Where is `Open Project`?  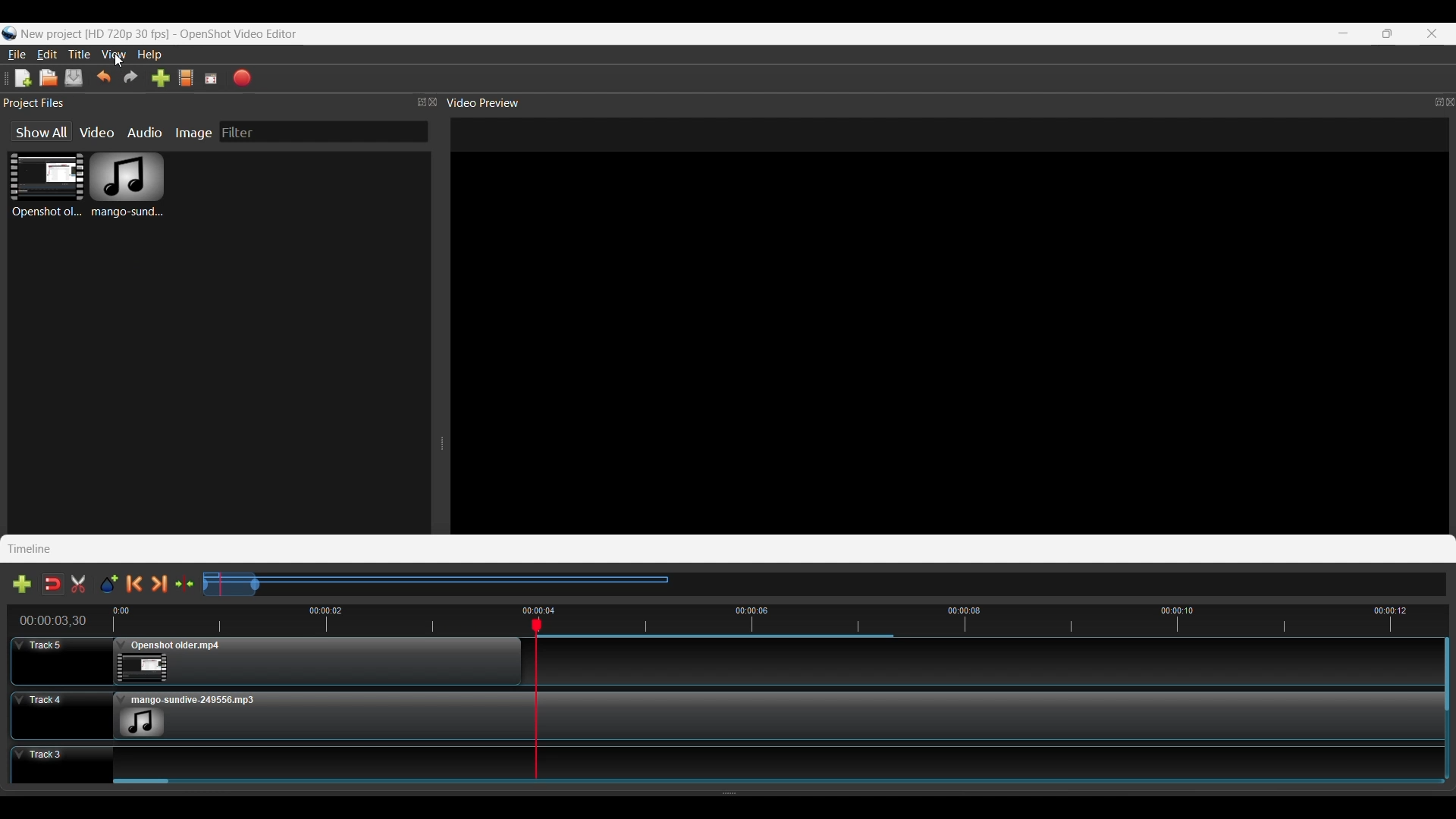
Open Project is located at coordinates (49, 78).